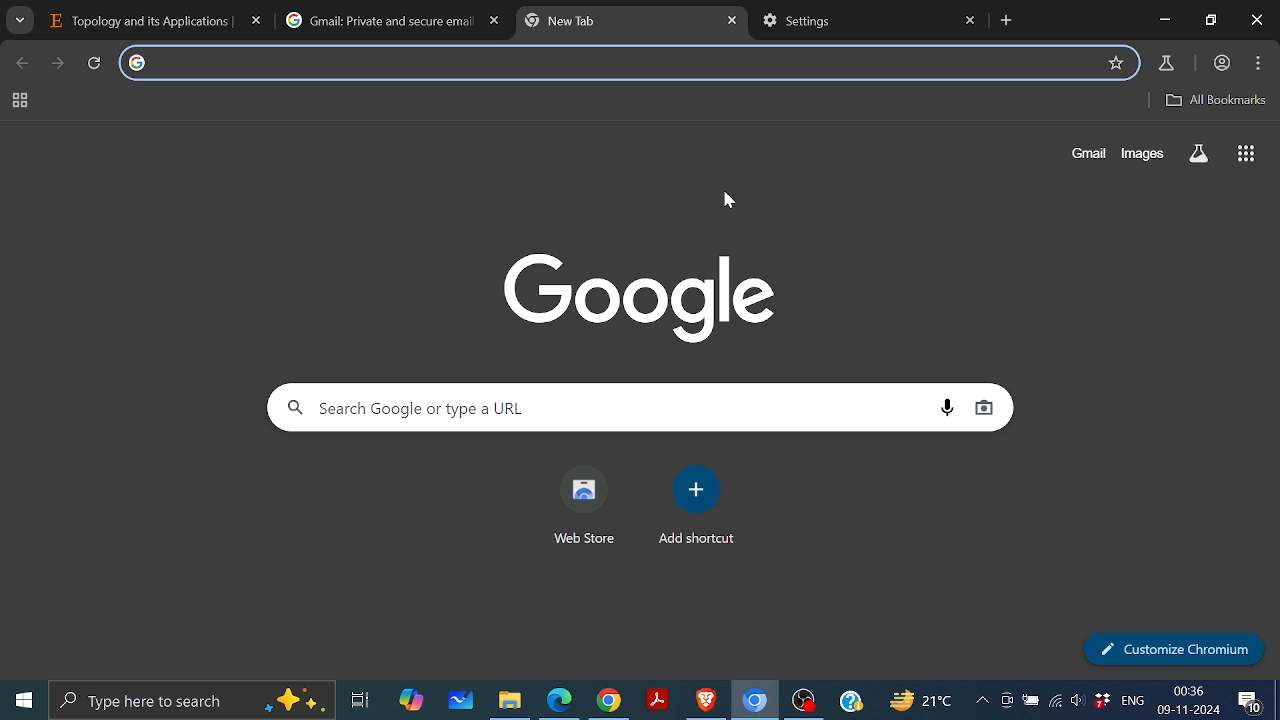 This screenshot has width=1280, height=720. Describe the element at coordinates (378, 20) in the screenshot. I see `2nd tab: Gmail: Private and secure ema` at that location.